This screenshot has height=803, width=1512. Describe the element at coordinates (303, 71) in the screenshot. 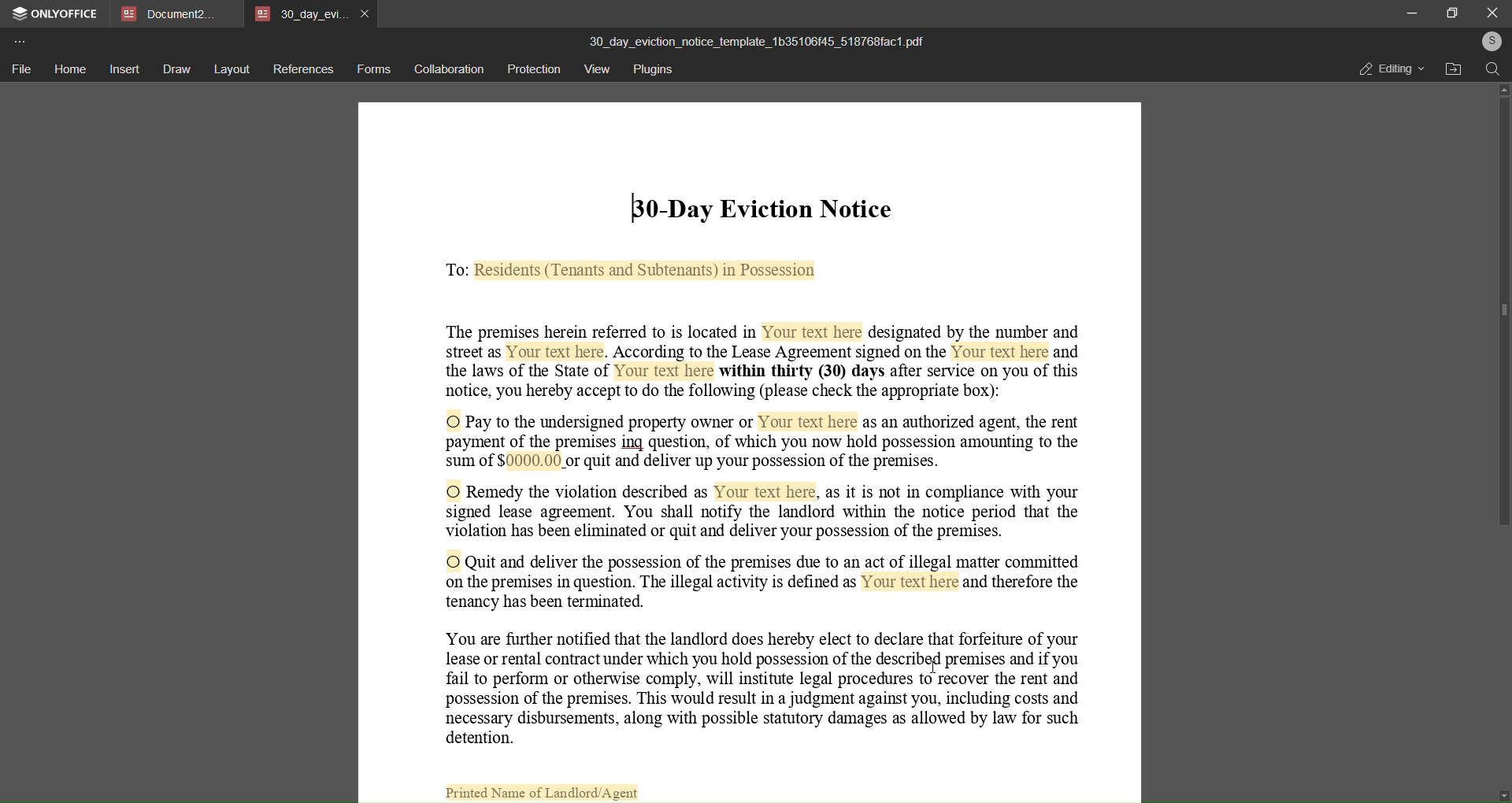

I see `references` at that location.